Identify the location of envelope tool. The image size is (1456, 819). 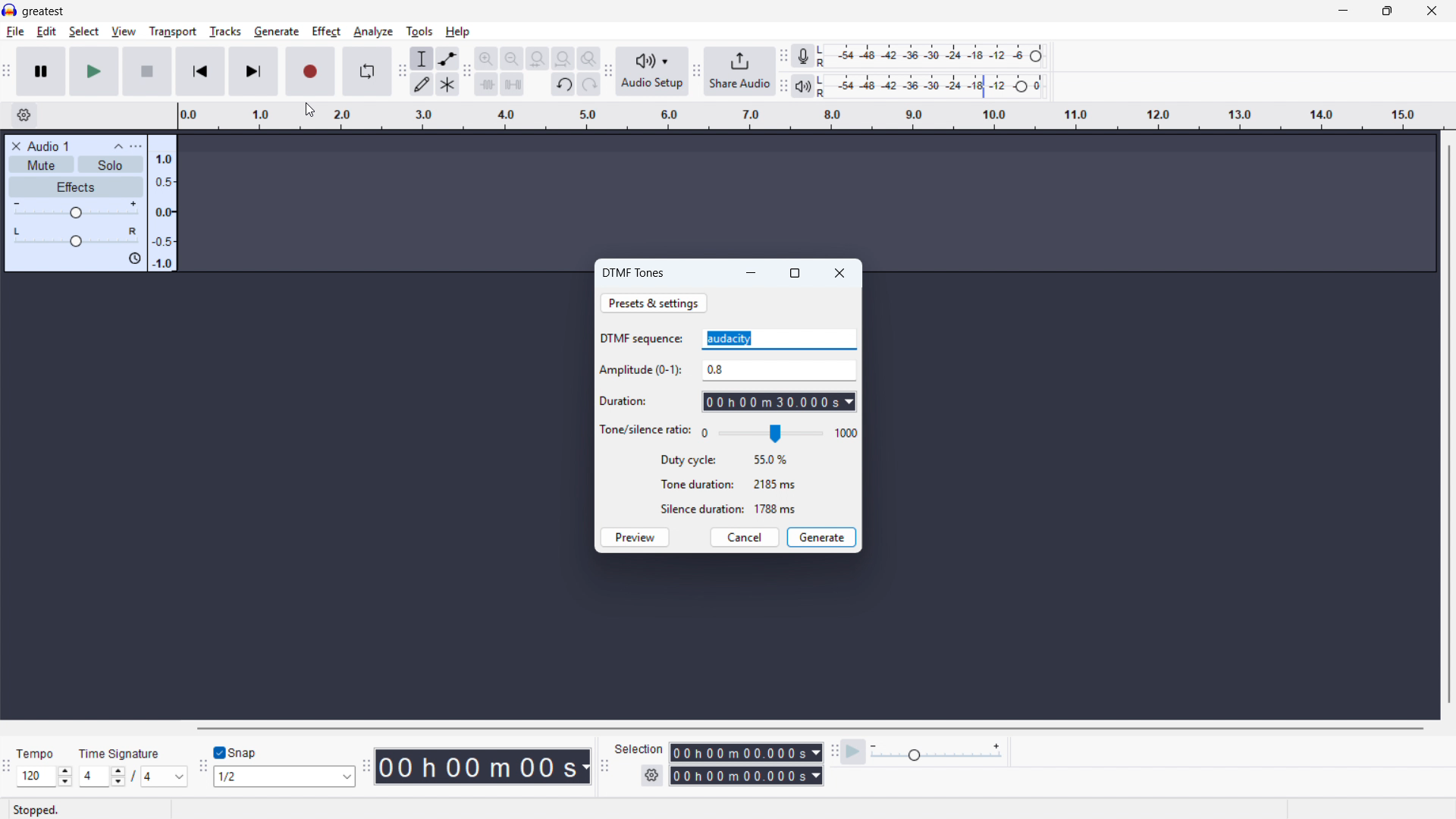
(448, 58).